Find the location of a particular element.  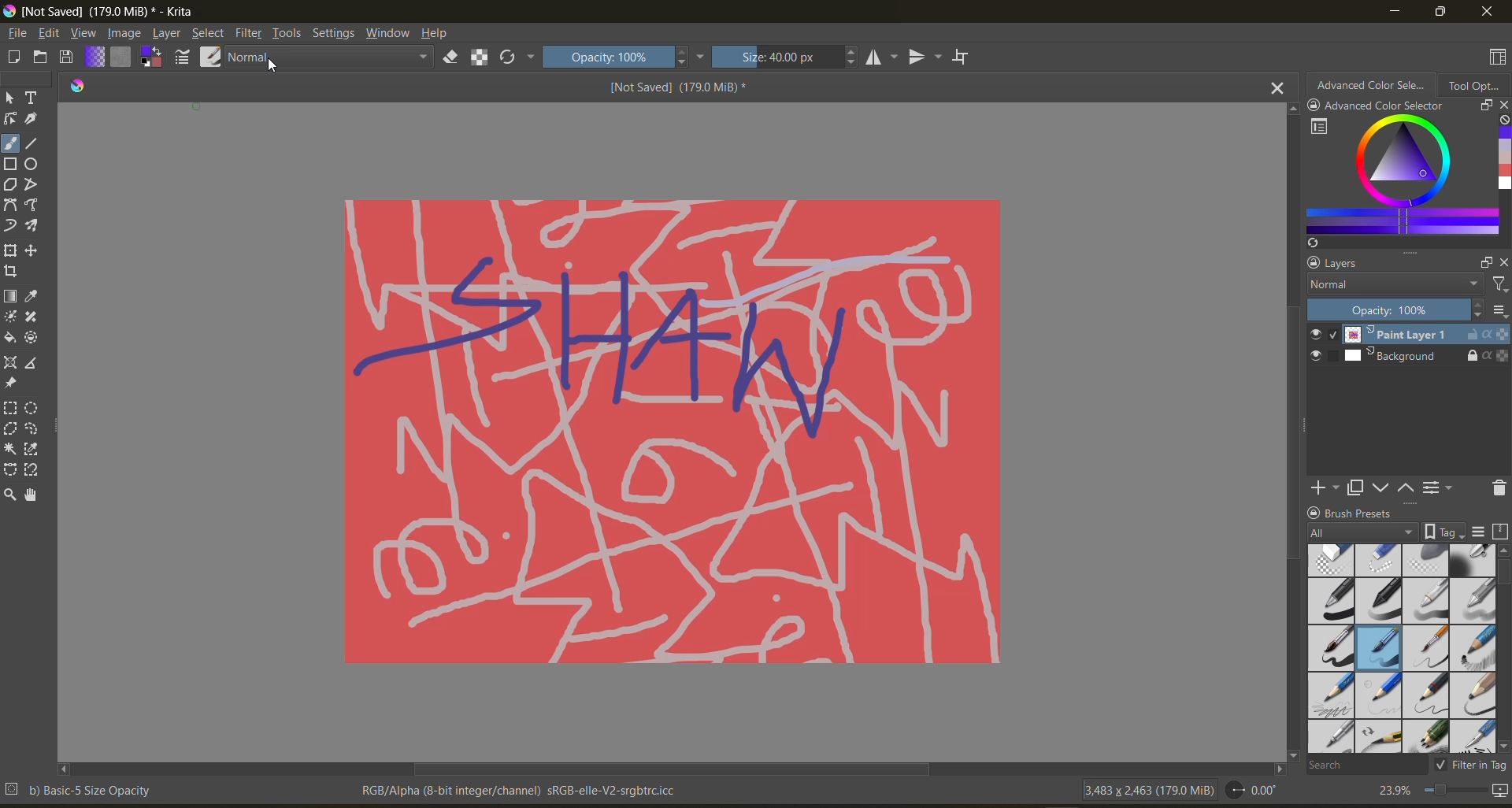

b) Basic-5 Size Opacity is located at coordinates (83, 791).